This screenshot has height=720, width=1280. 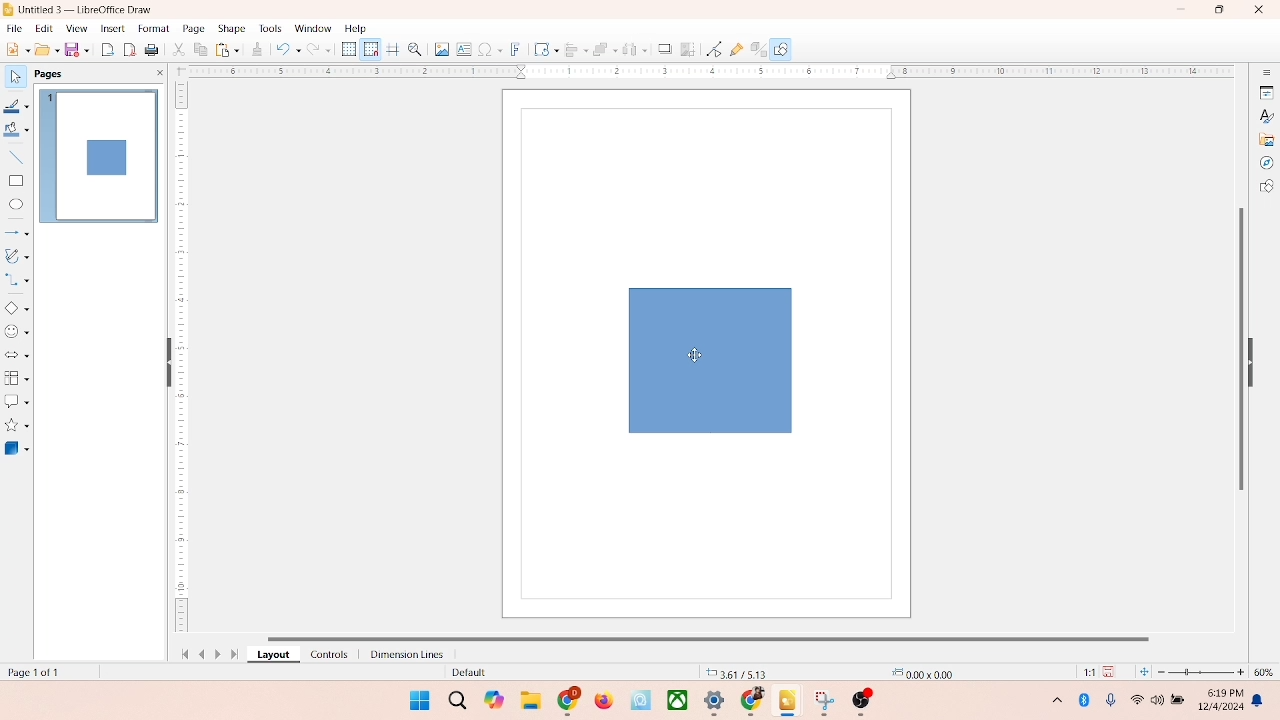 I want to click on shadow, so click(x=662, y=47).